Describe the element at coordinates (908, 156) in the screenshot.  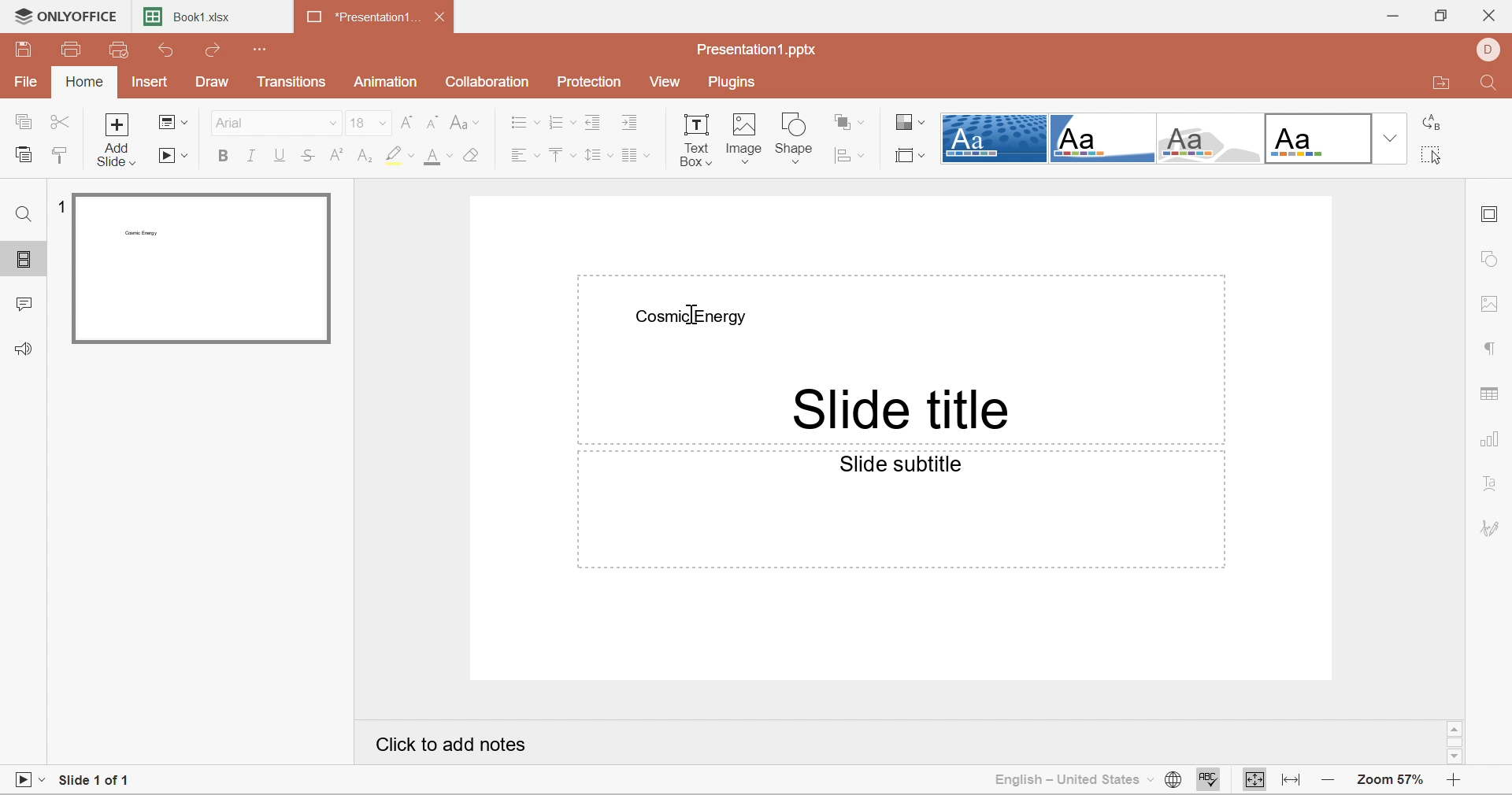
I see `Select slide size` at that location.